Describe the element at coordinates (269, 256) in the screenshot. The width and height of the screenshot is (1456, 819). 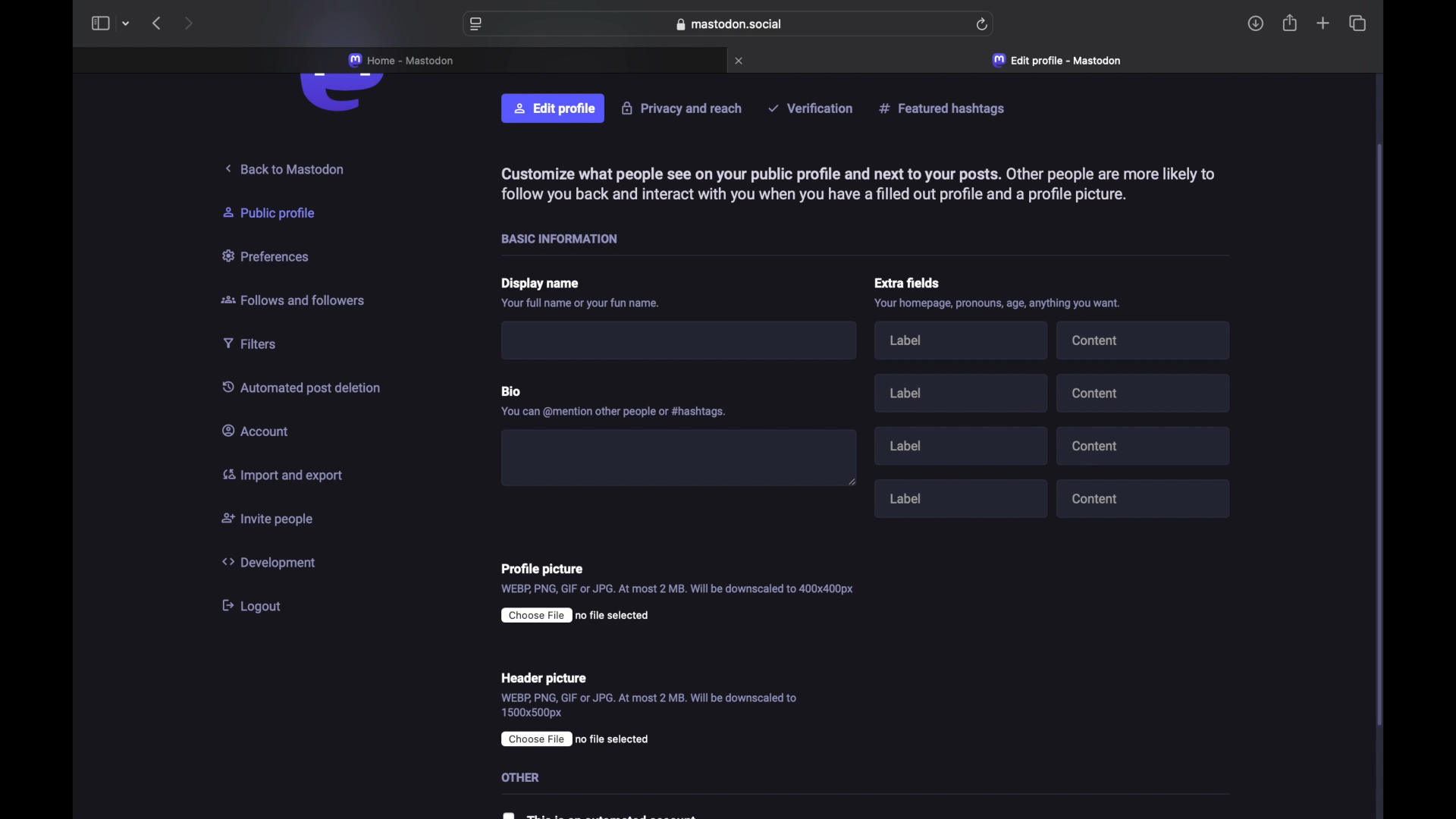
I see `preferences` at that location.